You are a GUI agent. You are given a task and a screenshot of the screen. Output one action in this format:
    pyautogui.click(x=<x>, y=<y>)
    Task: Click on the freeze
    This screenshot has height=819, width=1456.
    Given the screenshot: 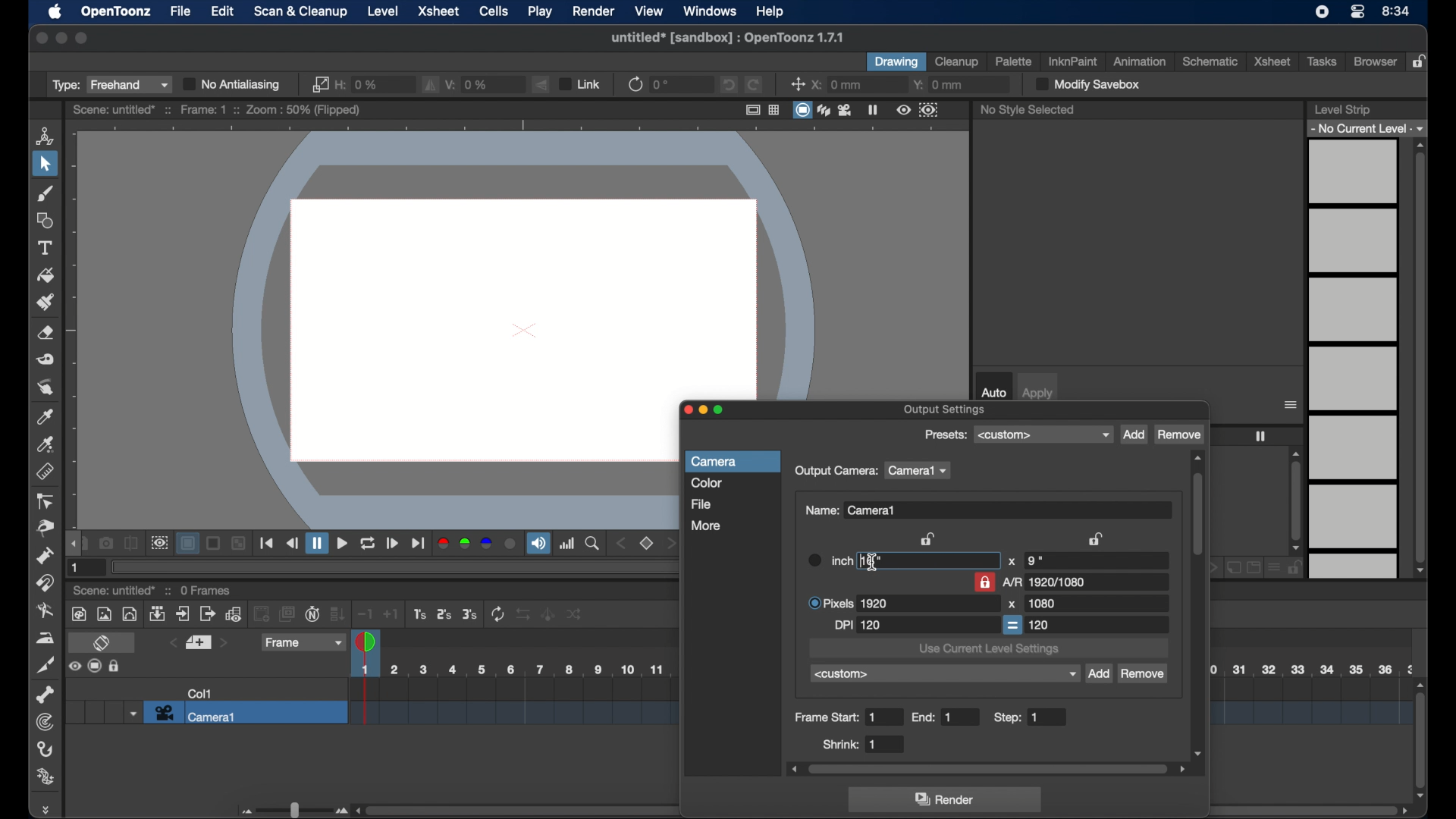 What is the action you would take?
    pyautogui.click(x=873, y=109)
    